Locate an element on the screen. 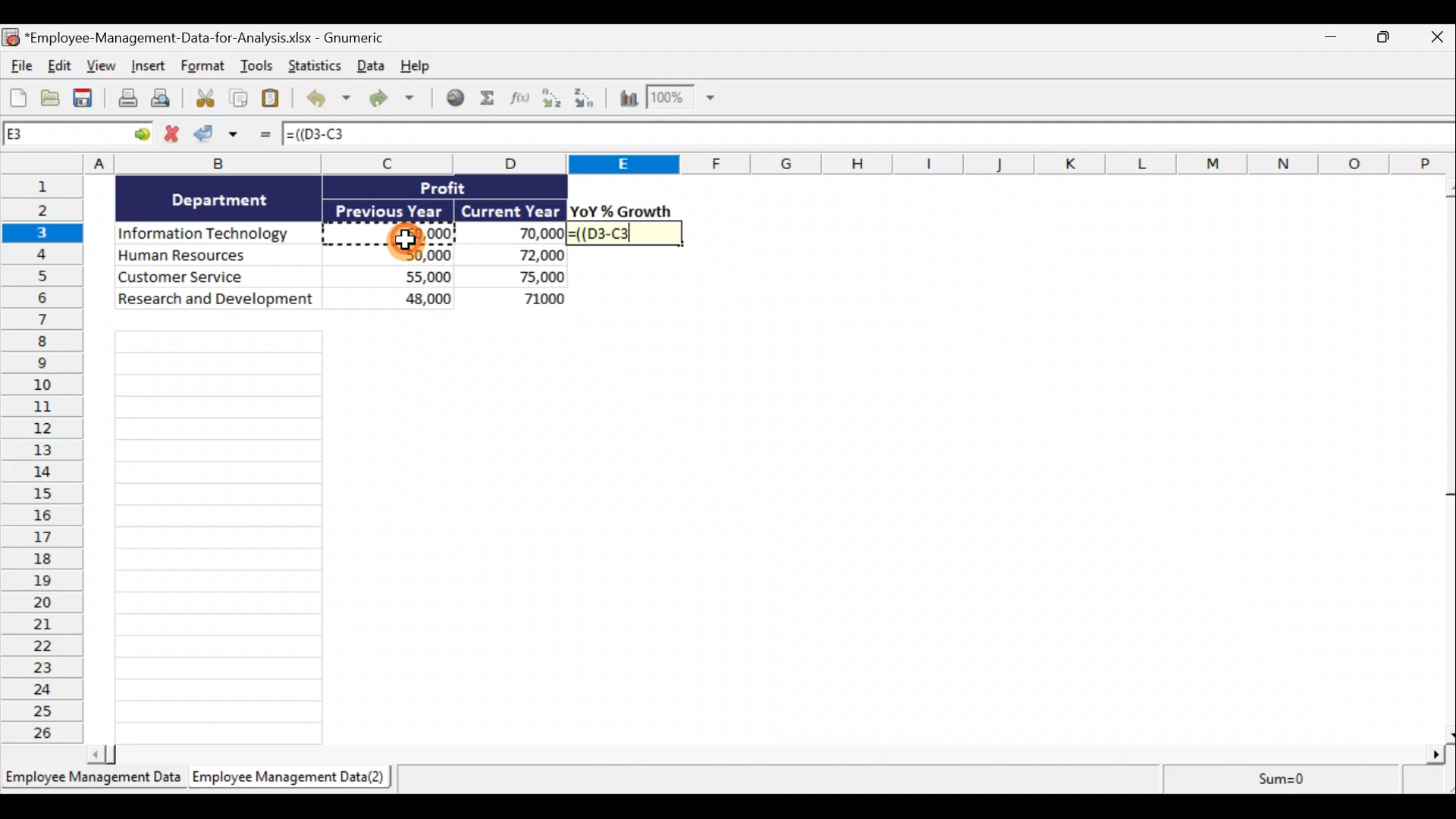  Cut selection is located at coordinates (201, 99).